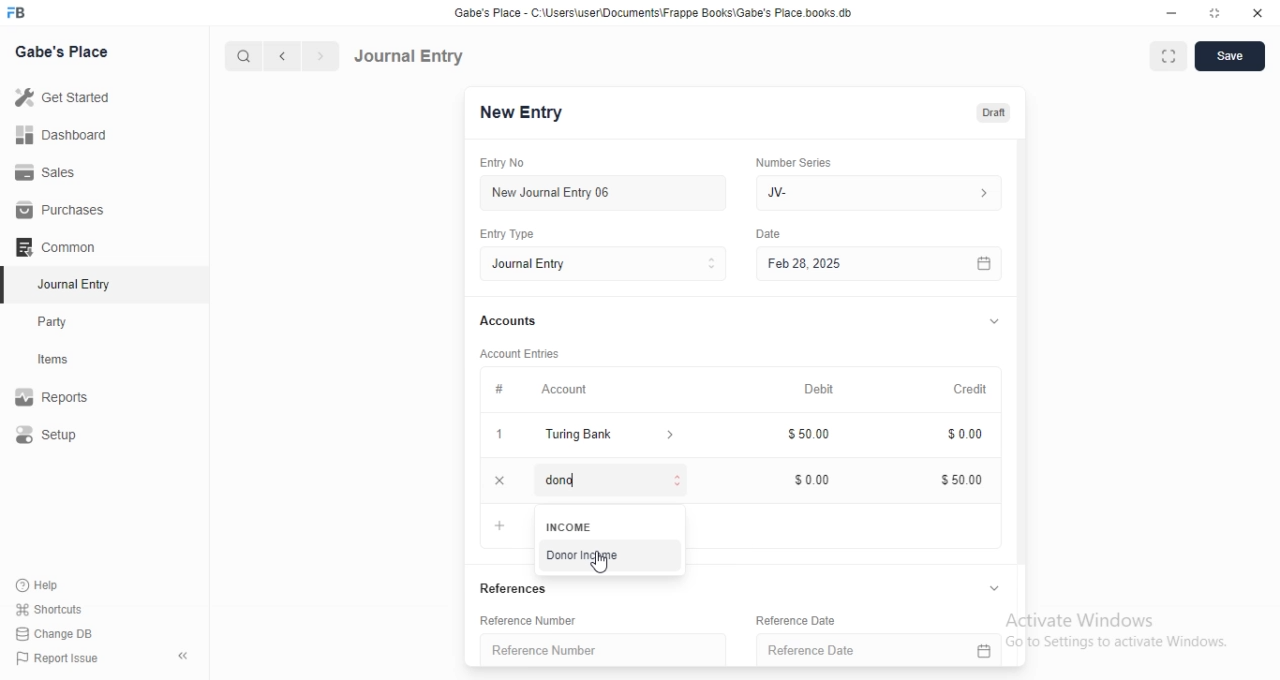 This screenshot has height=680, width=1280. Describe the element at coordinates (600, 648) in the screenshot. I see `Reference Number` at that location.